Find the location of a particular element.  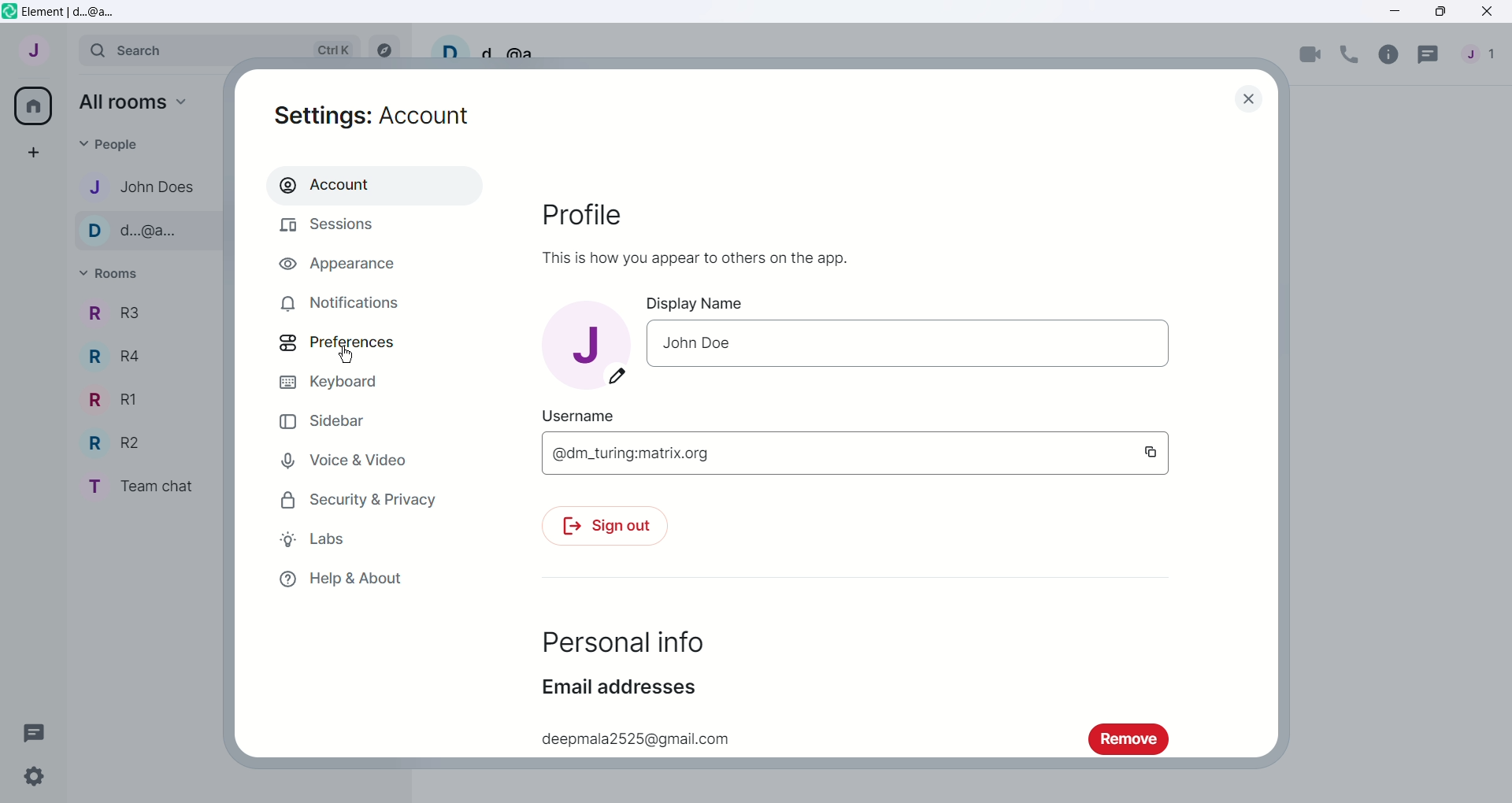

R1 - Room Name is located at coordinates (116, 399).